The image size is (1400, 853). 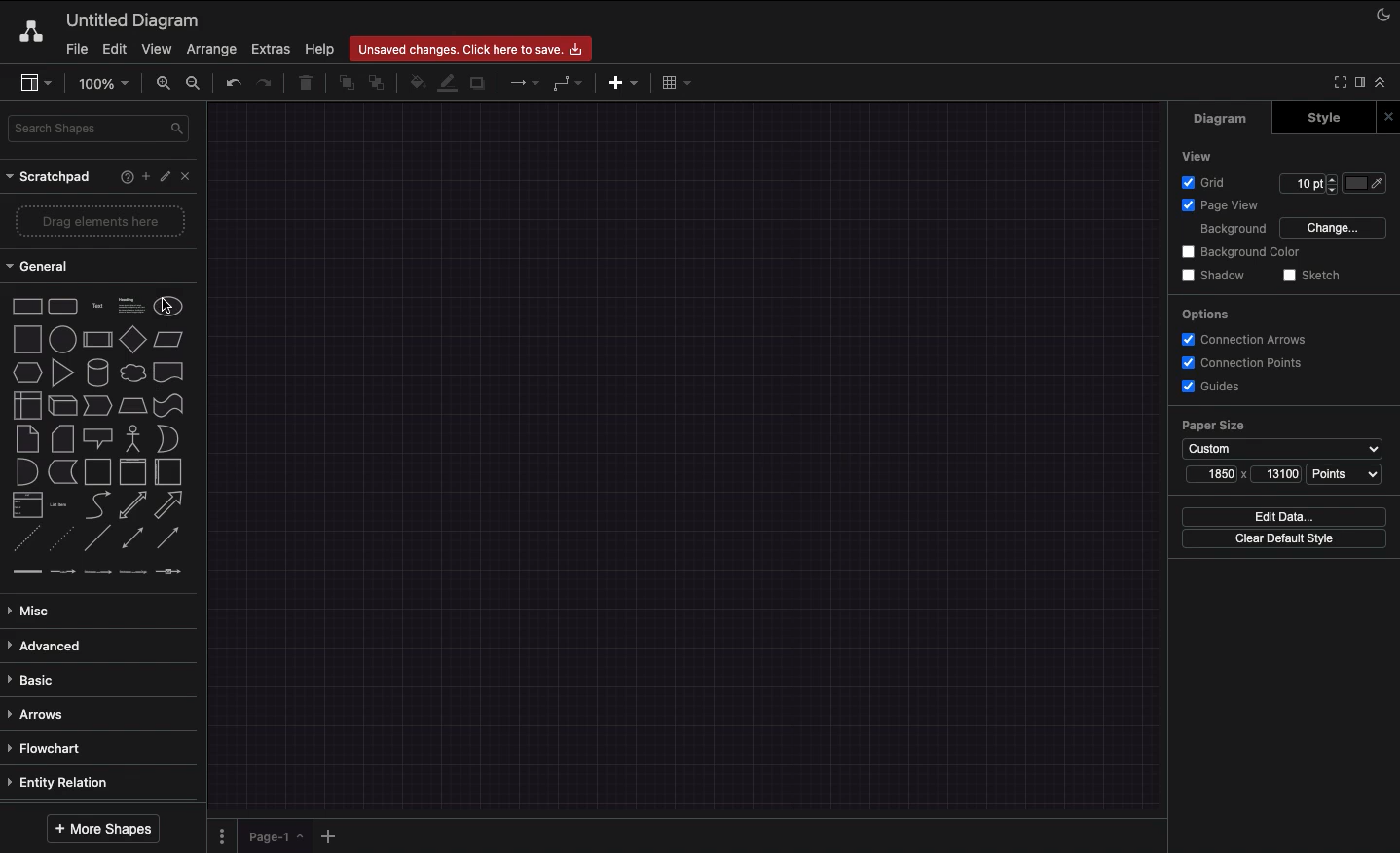 I want to click on Cloud, so click(x=131, y=373).